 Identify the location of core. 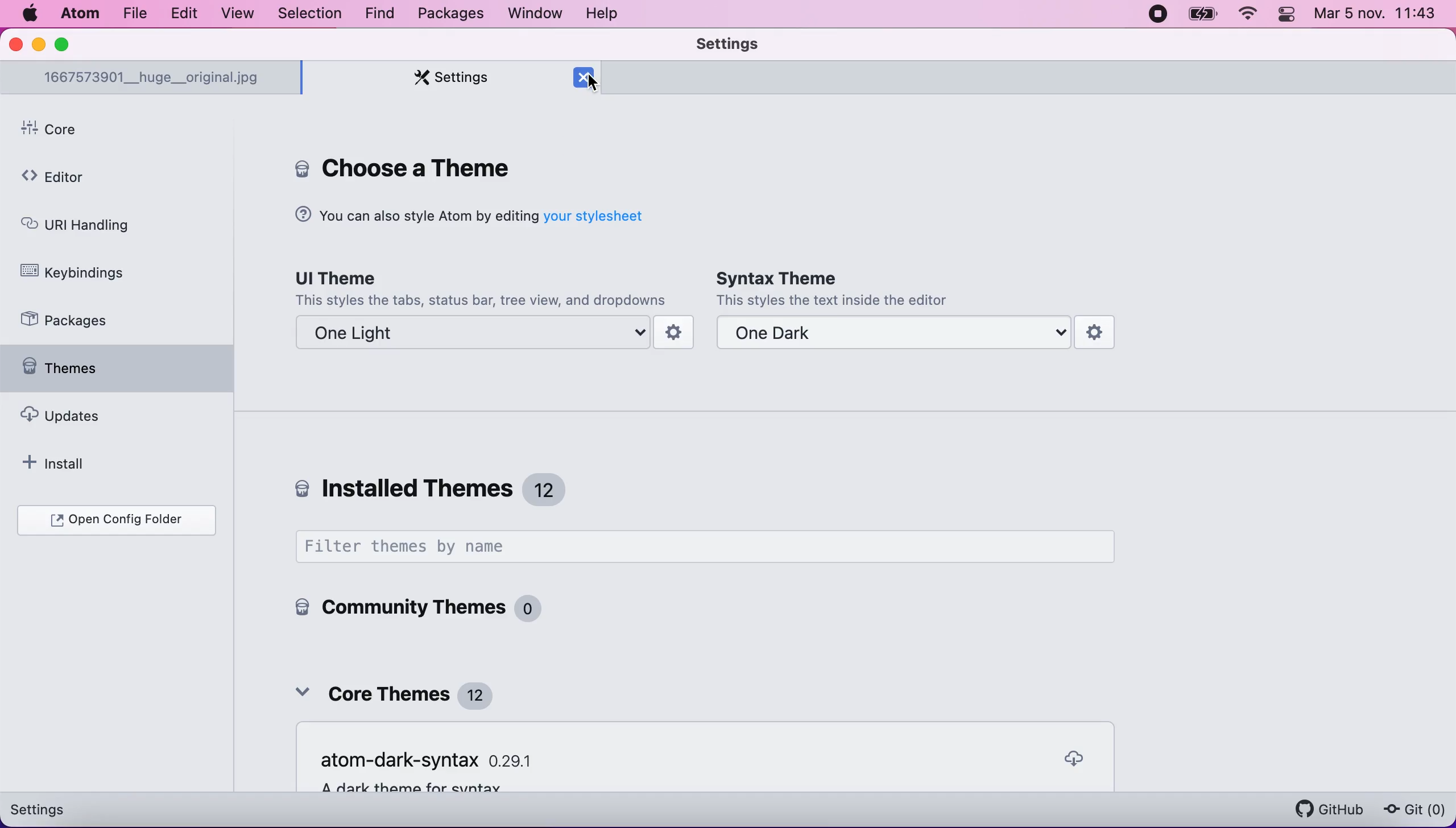
(123, 131).